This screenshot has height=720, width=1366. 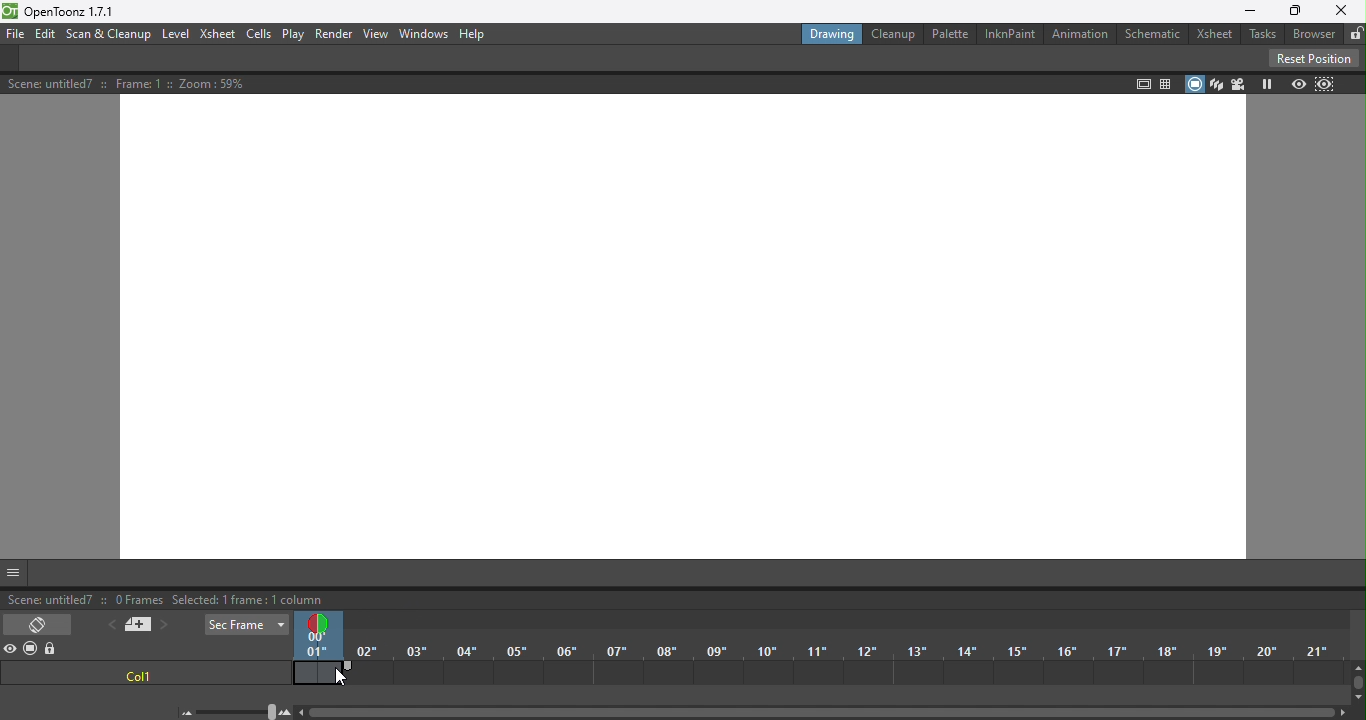 I want to click on GUI Show/Hide, so click(x=14, y=573).